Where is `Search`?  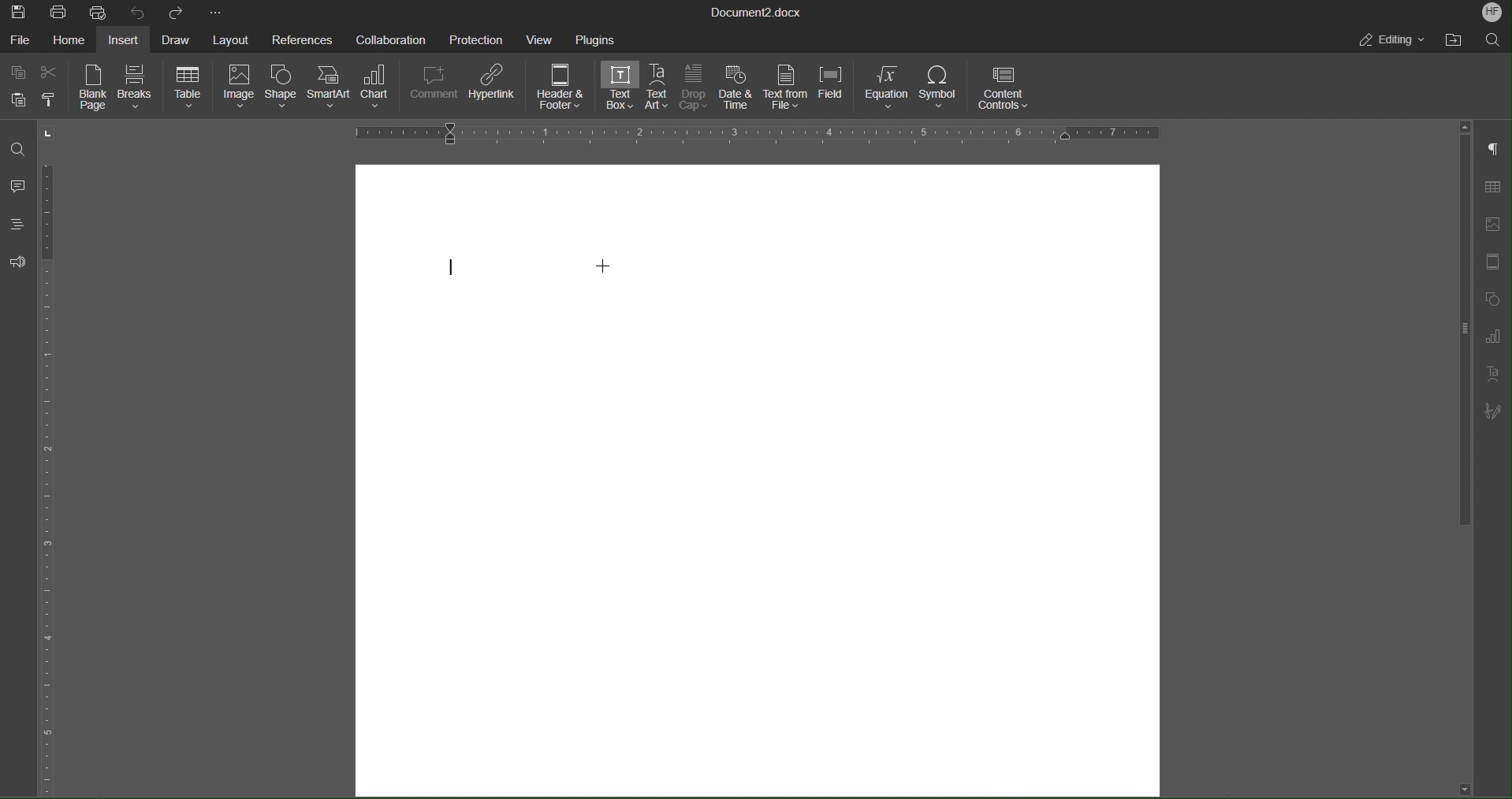
Search is located at coordinates (1493, 39).